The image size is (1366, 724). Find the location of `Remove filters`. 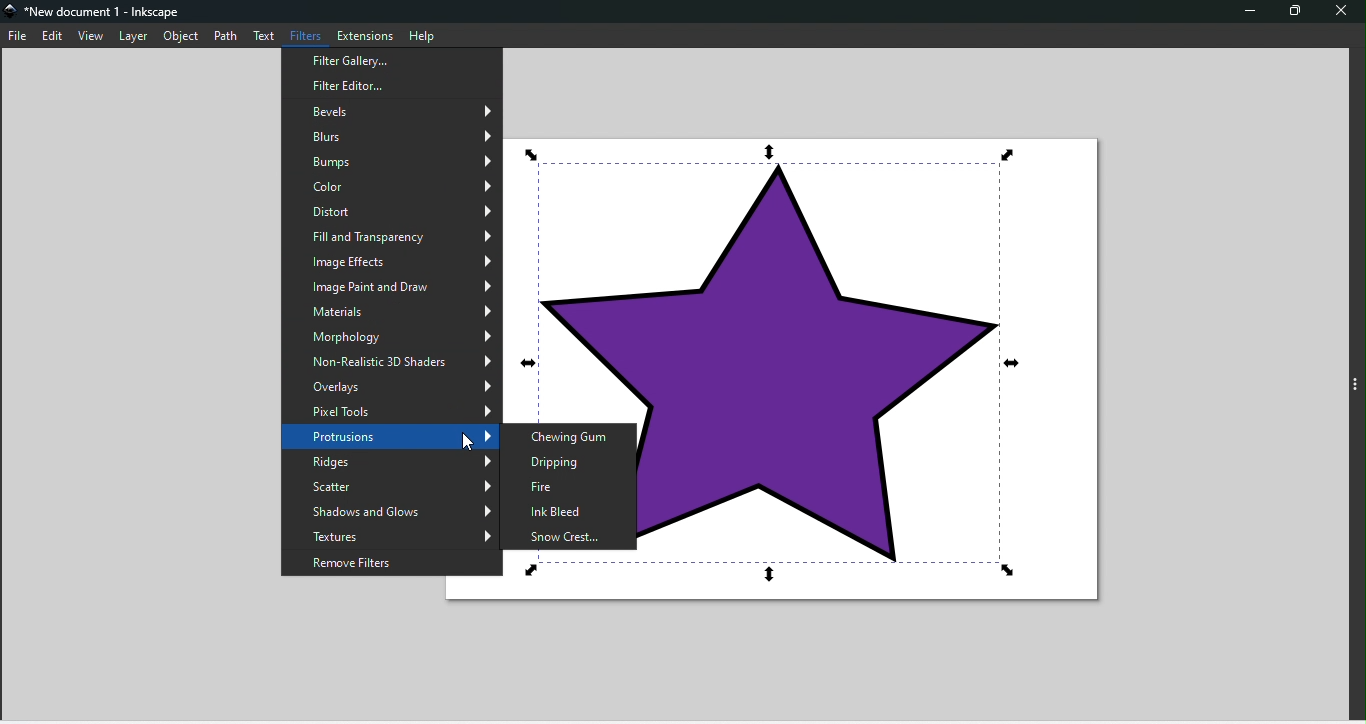

Remove filters is located at coordinates (390, 563).